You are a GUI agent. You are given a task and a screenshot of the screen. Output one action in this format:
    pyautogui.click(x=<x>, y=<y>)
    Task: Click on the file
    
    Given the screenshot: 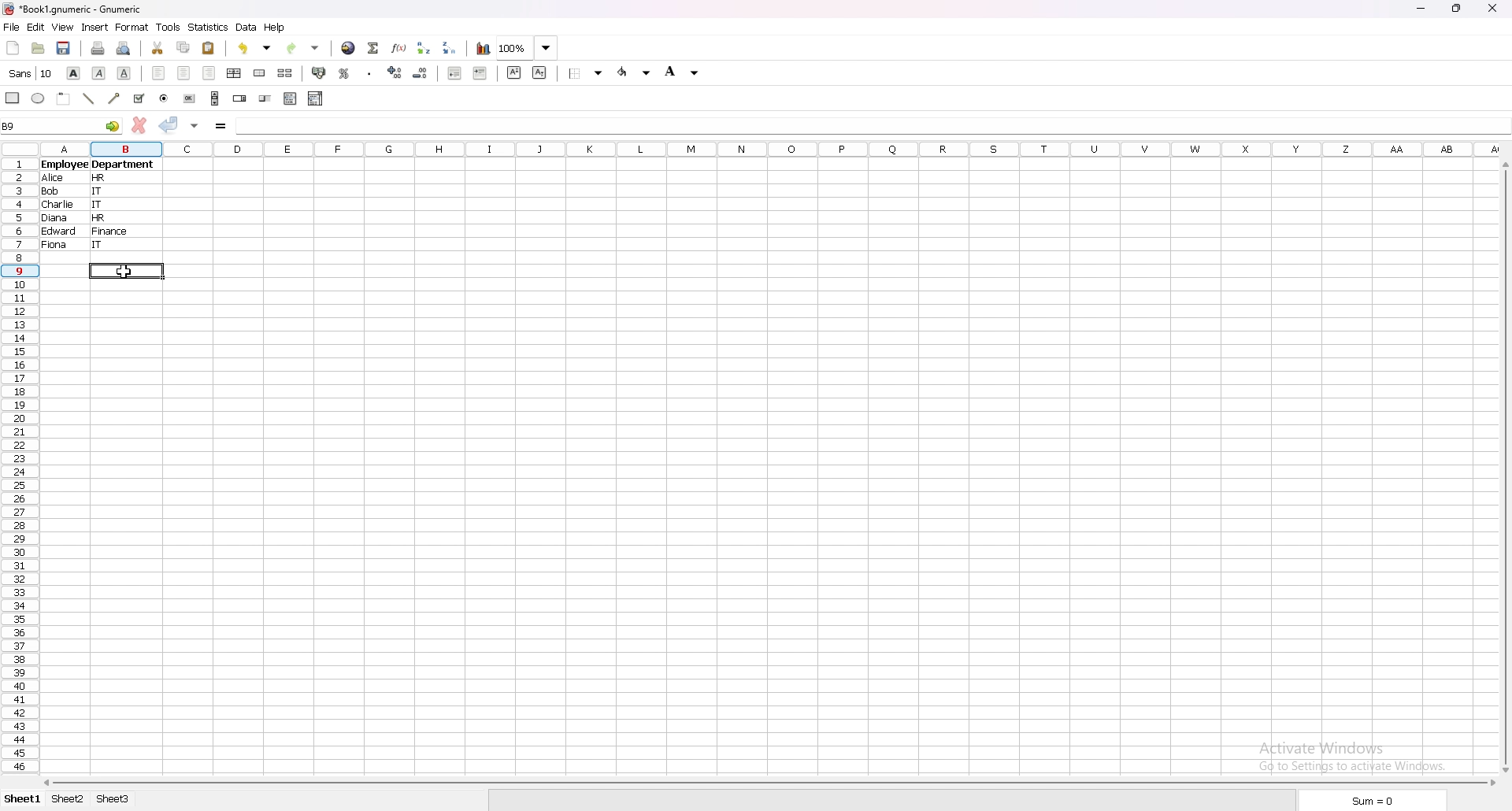 What is the action you would take?
    pyautogui.click(x=12, y=27)
    